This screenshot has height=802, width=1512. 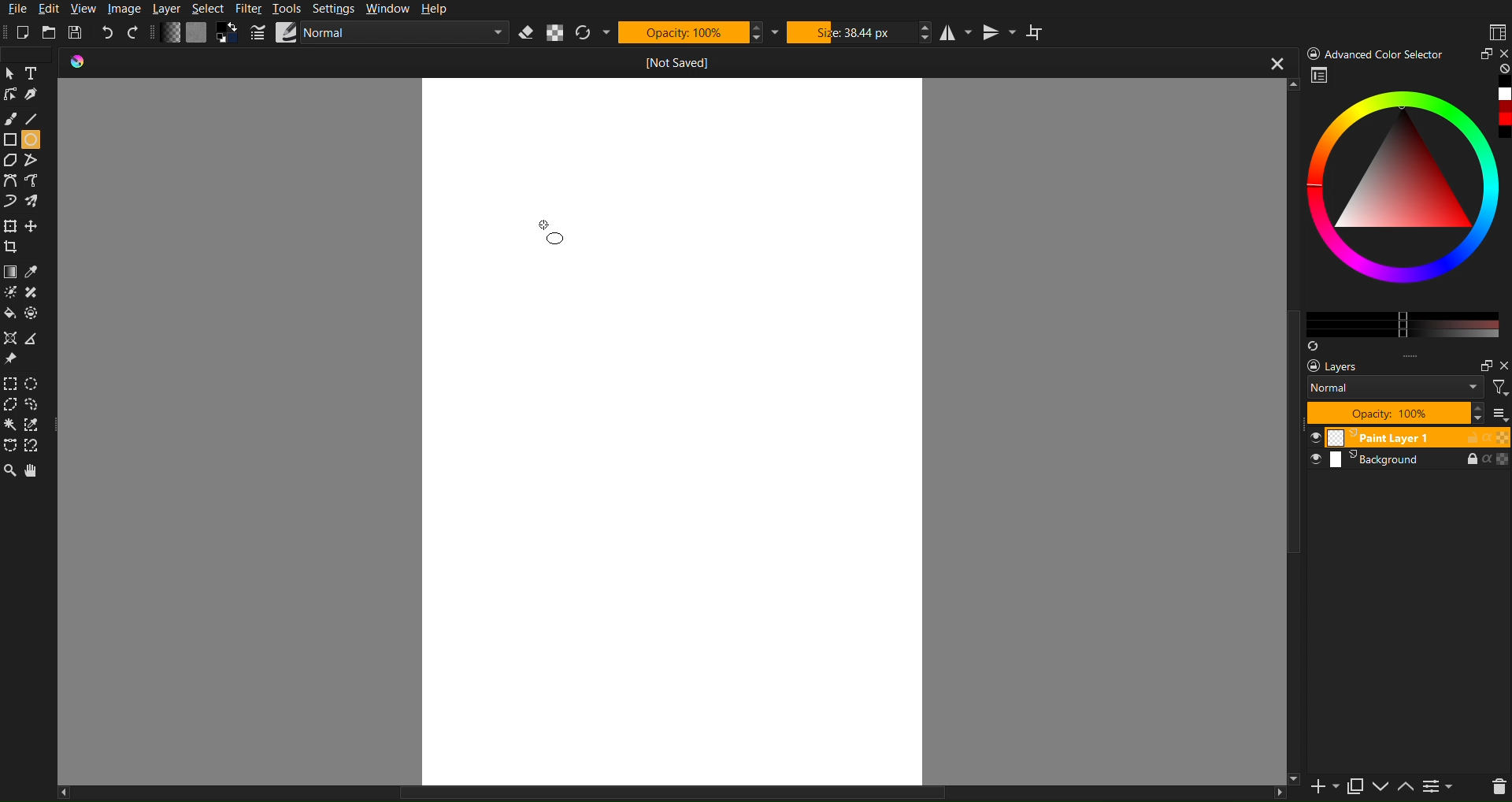 I want to click on new, so click(x=1321, y=789).